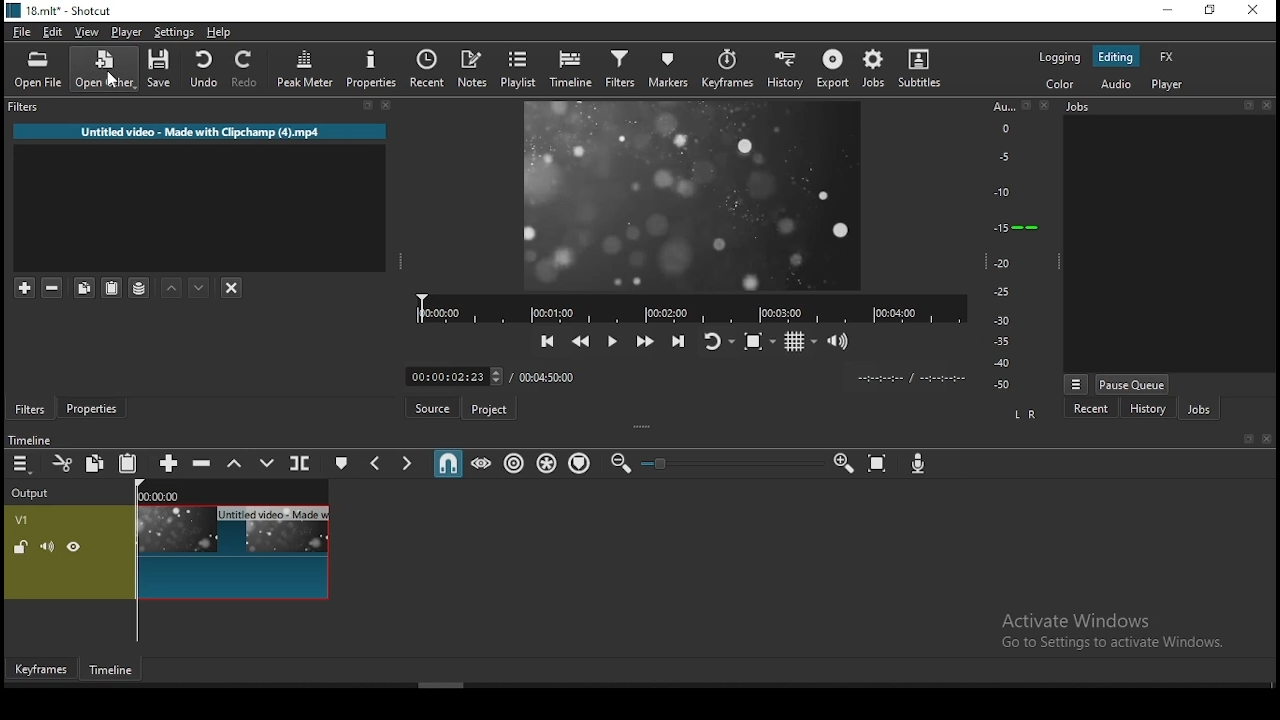  I want to click on Untitled video - Made with Clipchamp (4).mp4, so click(200, 132).